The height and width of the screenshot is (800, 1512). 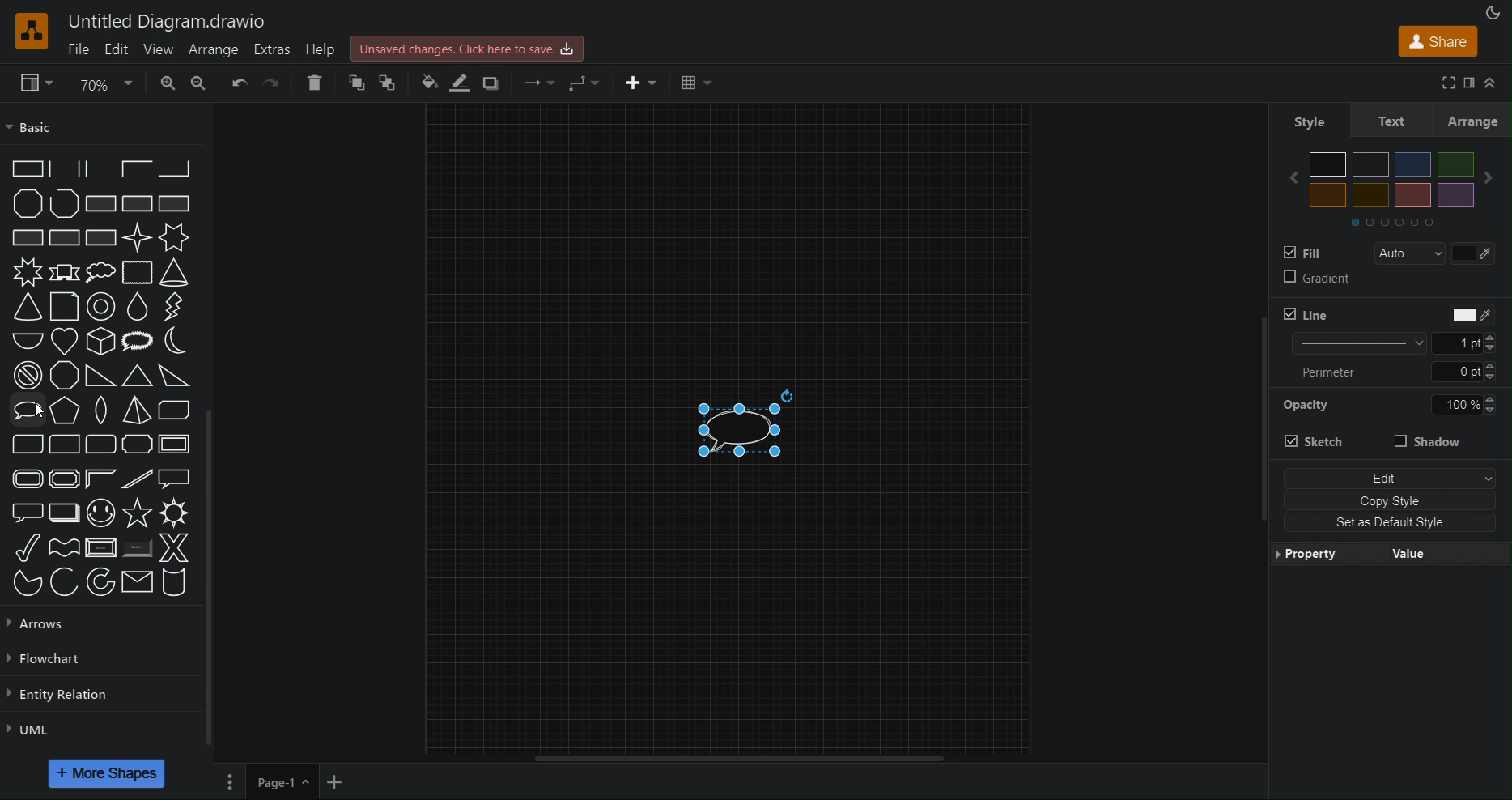 I want to click on Document, so click(x=64, y=306).